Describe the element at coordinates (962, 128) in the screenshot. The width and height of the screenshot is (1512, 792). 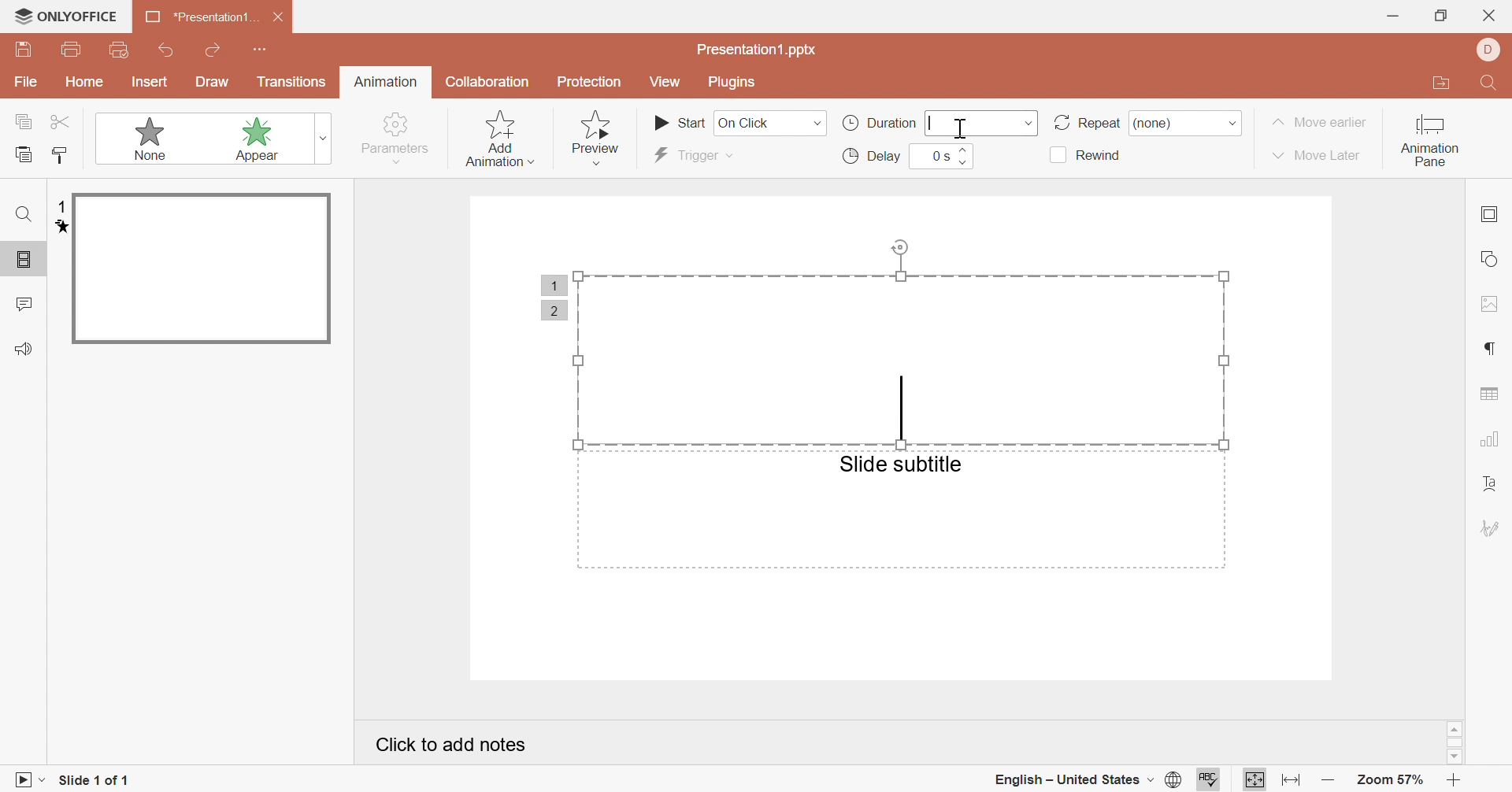
I see `cursor` at that location.